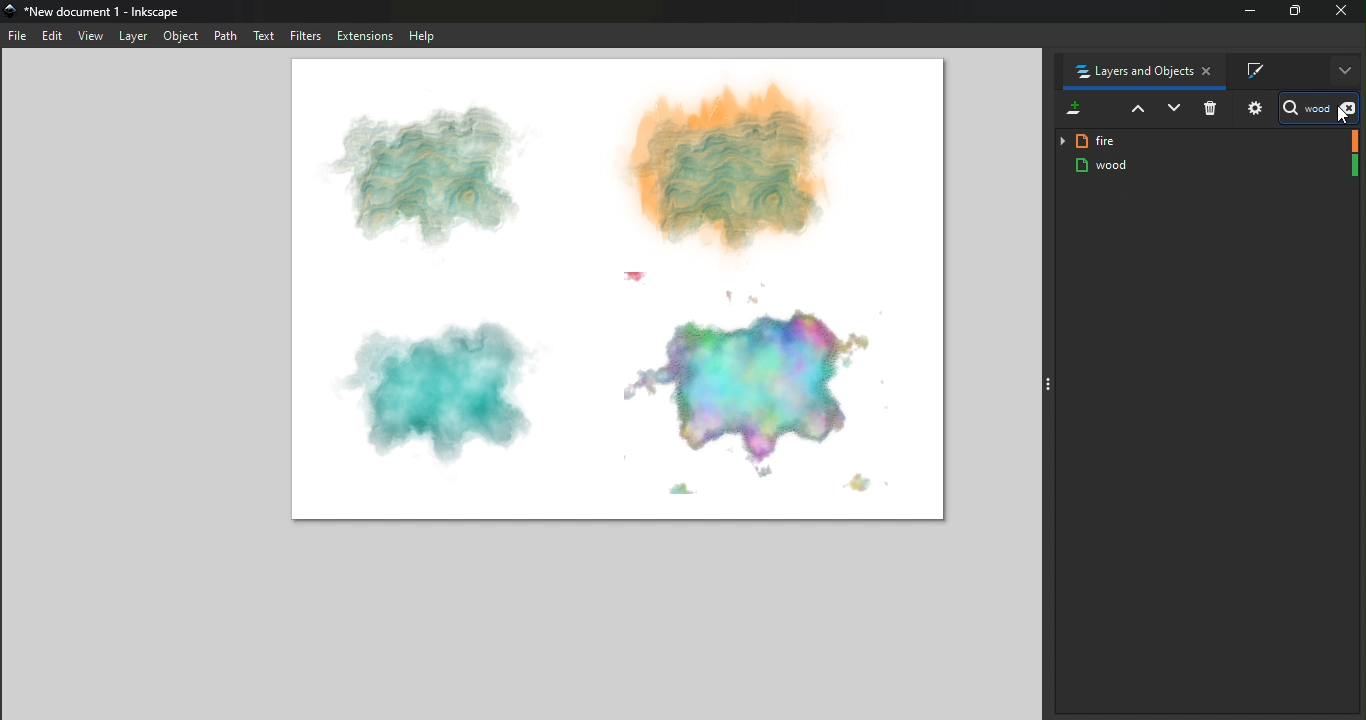  What do you see at coordinates (132, 35) in the screenshot?
I see `Layer` at bounding box center [132, 35].